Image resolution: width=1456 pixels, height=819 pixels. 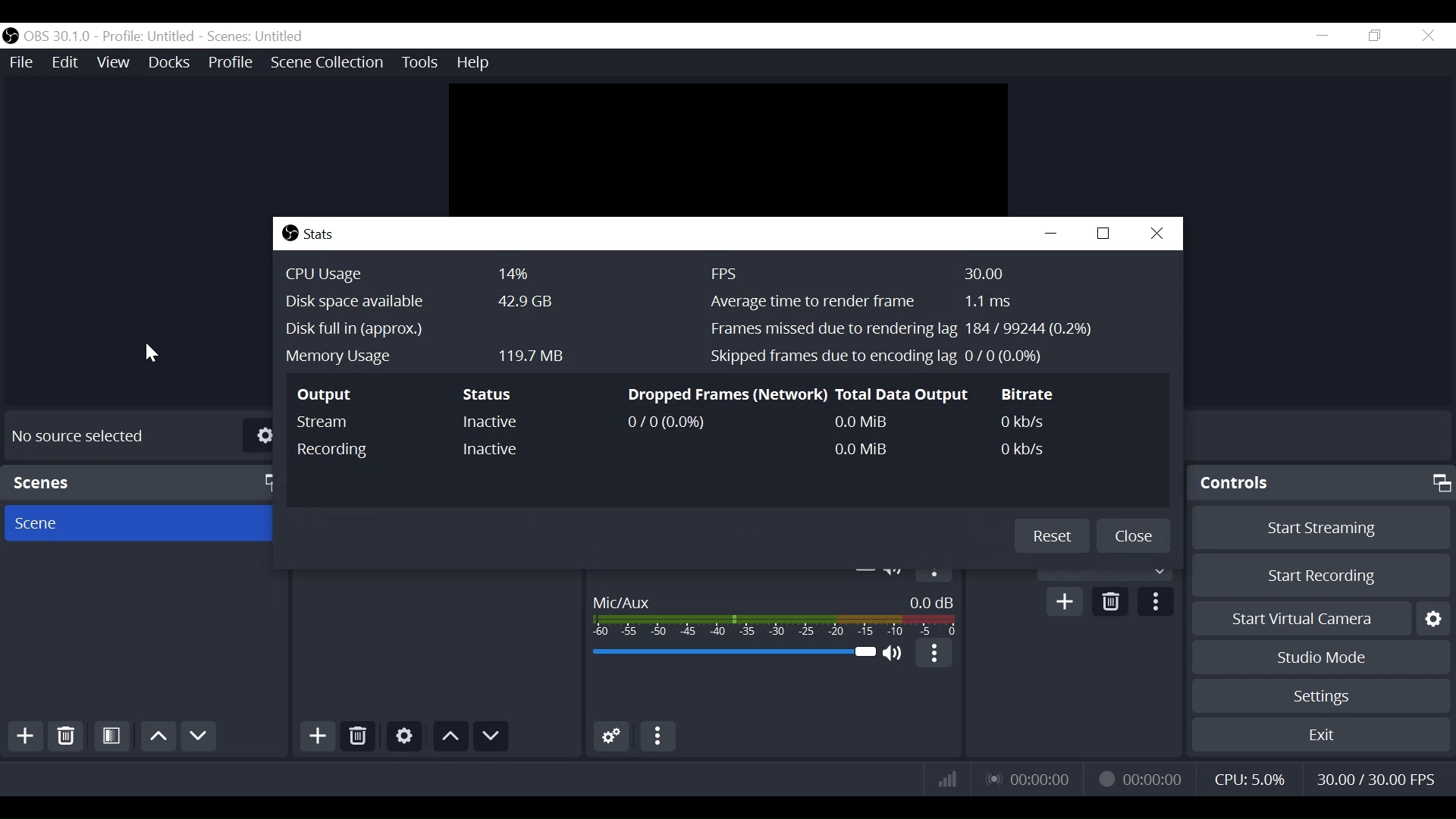 I want to click on Settings, so click(x=1321, y=695).